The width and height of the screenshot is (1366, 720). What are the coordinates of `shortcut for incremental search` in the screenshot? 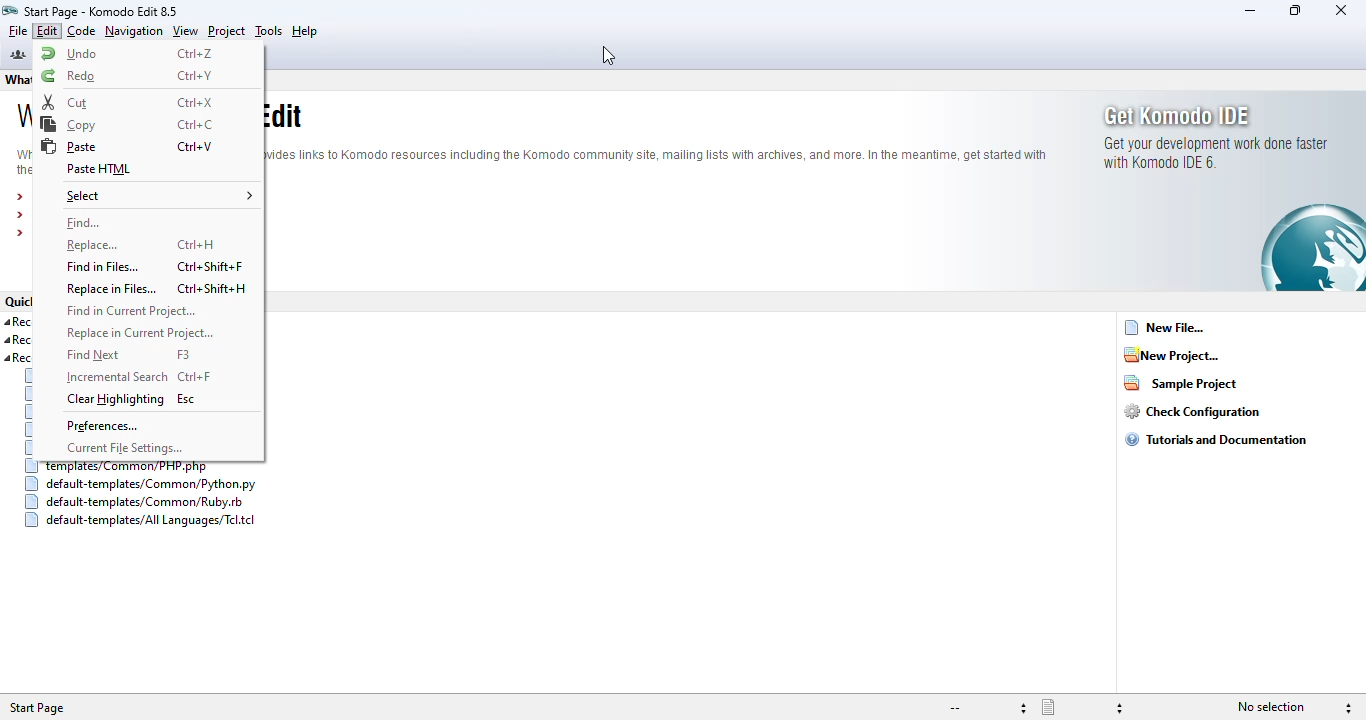 It's located at (195, 376).